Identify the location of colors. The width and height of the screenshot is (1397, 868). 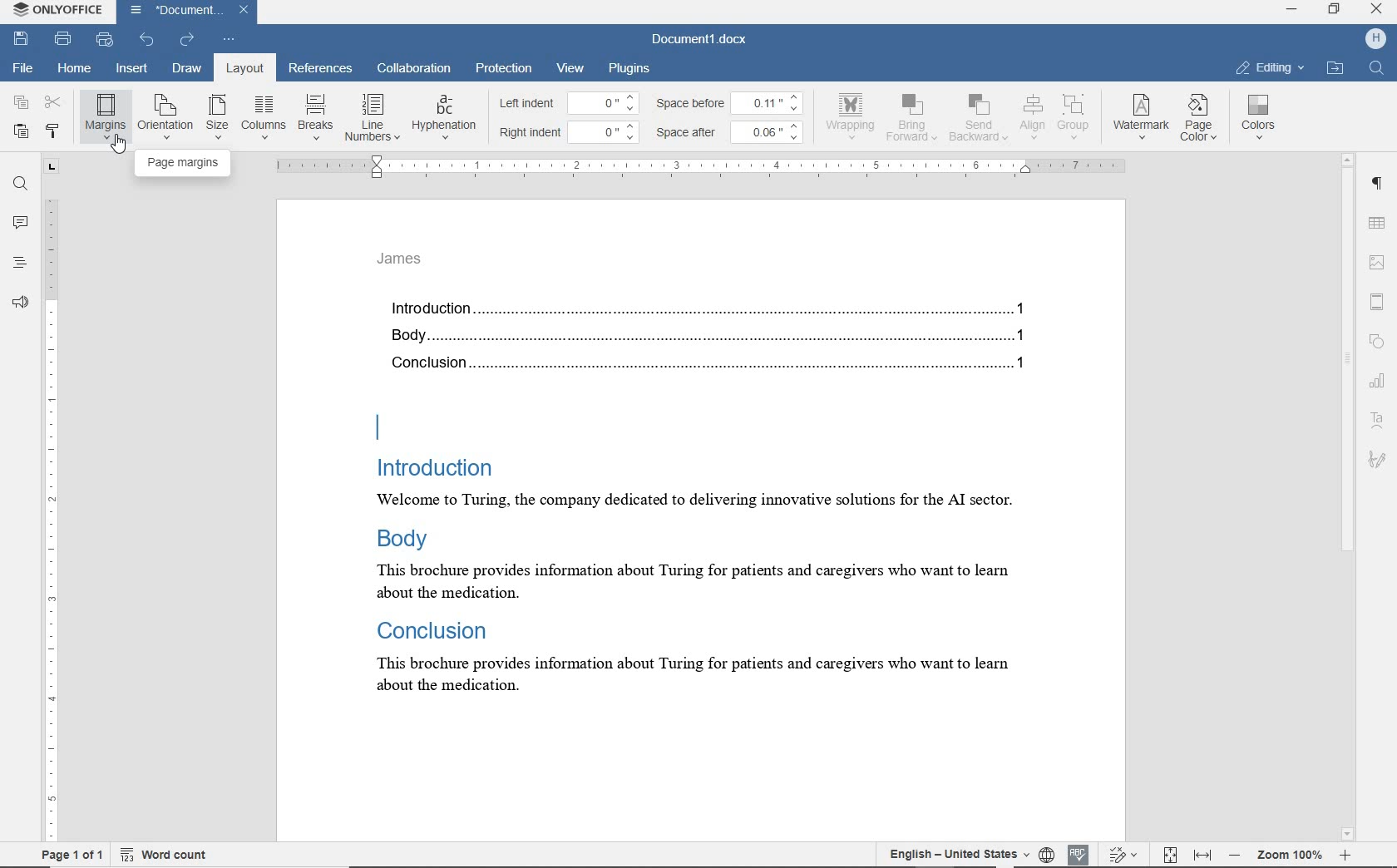
(1261, 117).